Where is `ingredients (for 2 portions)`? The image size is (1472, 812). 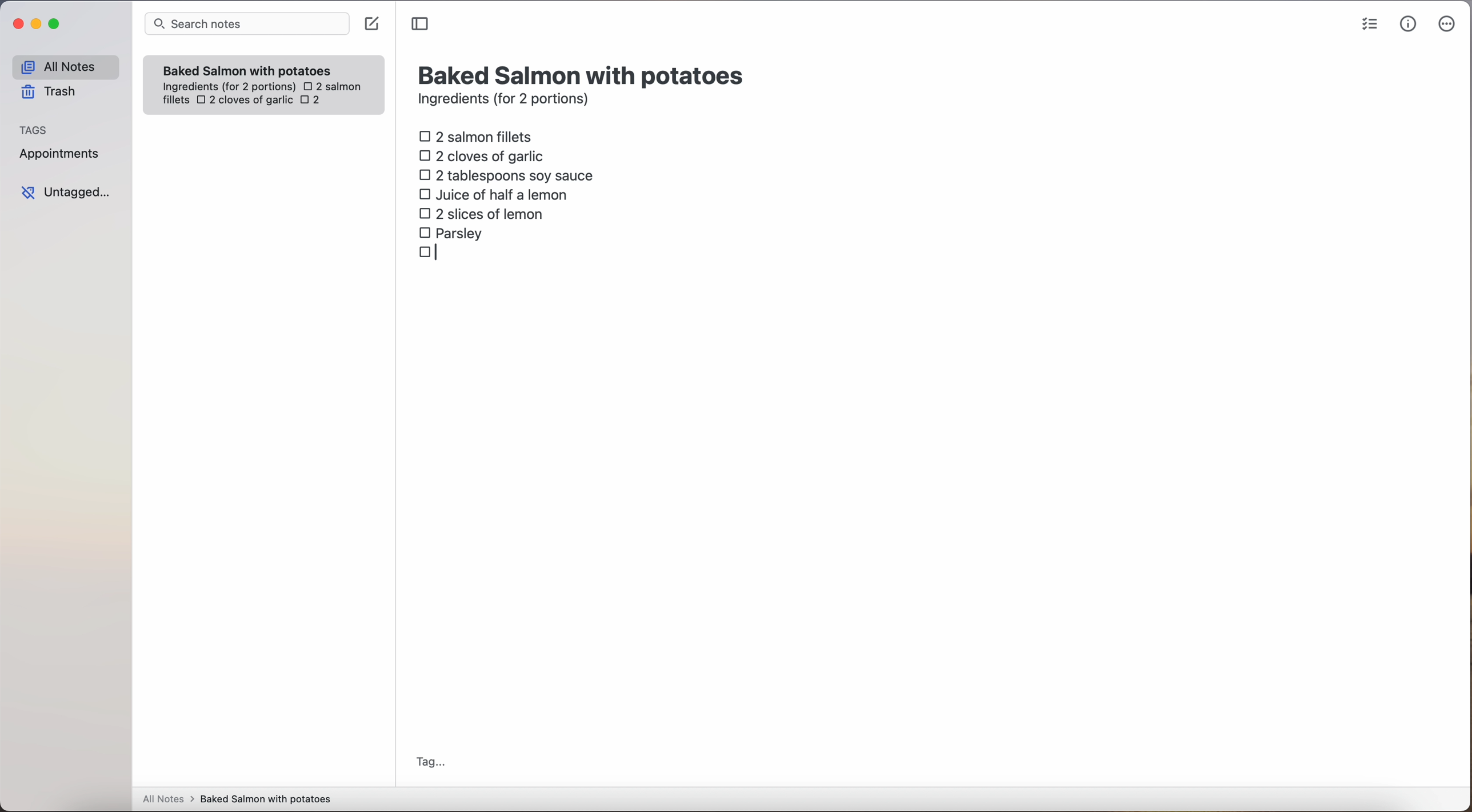 ingredients (for 2 portions) is located at coordinates (507, 101).